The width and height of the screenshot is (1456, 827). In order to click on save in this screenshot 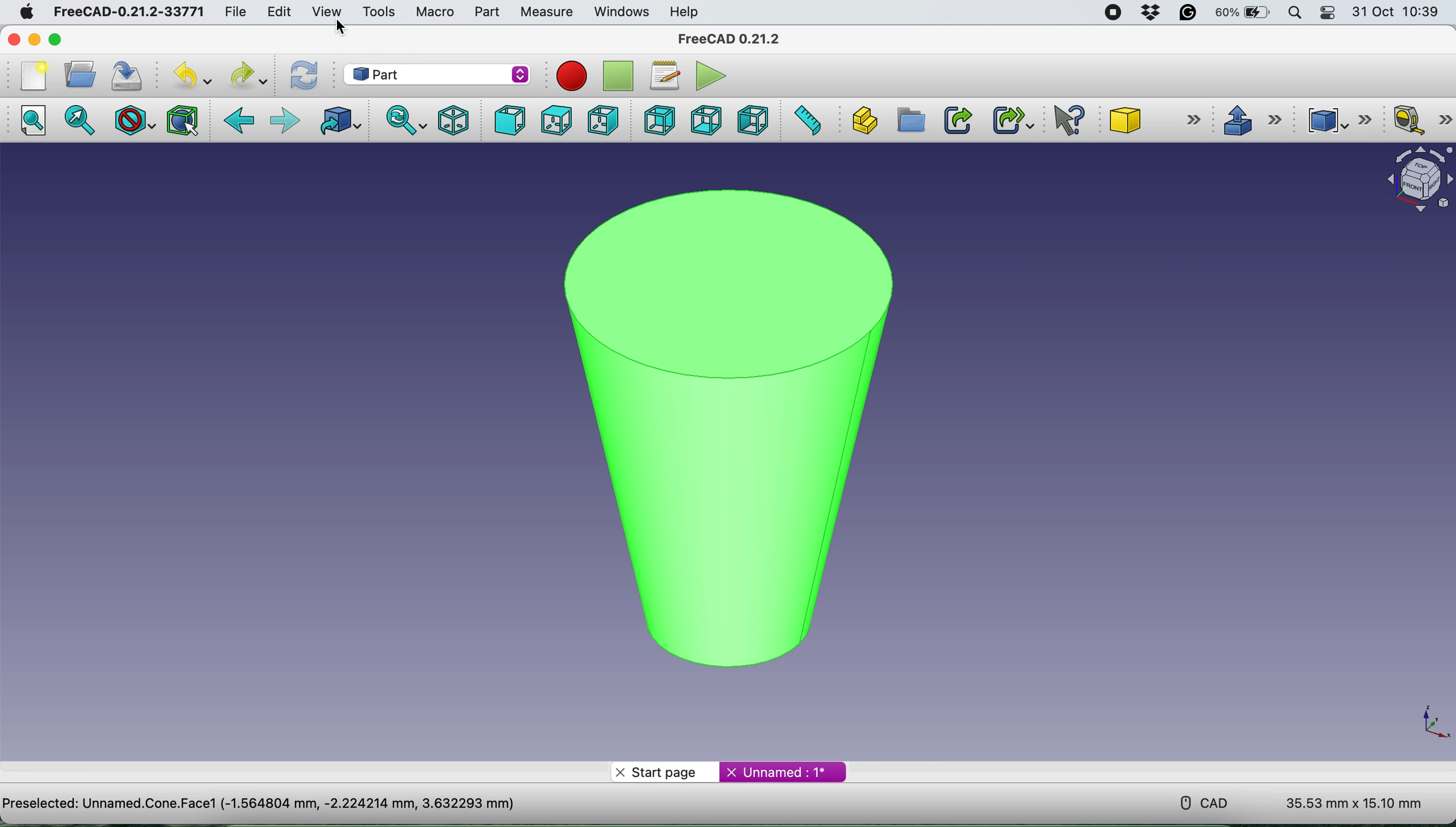, I will do `click(127, 75)`.